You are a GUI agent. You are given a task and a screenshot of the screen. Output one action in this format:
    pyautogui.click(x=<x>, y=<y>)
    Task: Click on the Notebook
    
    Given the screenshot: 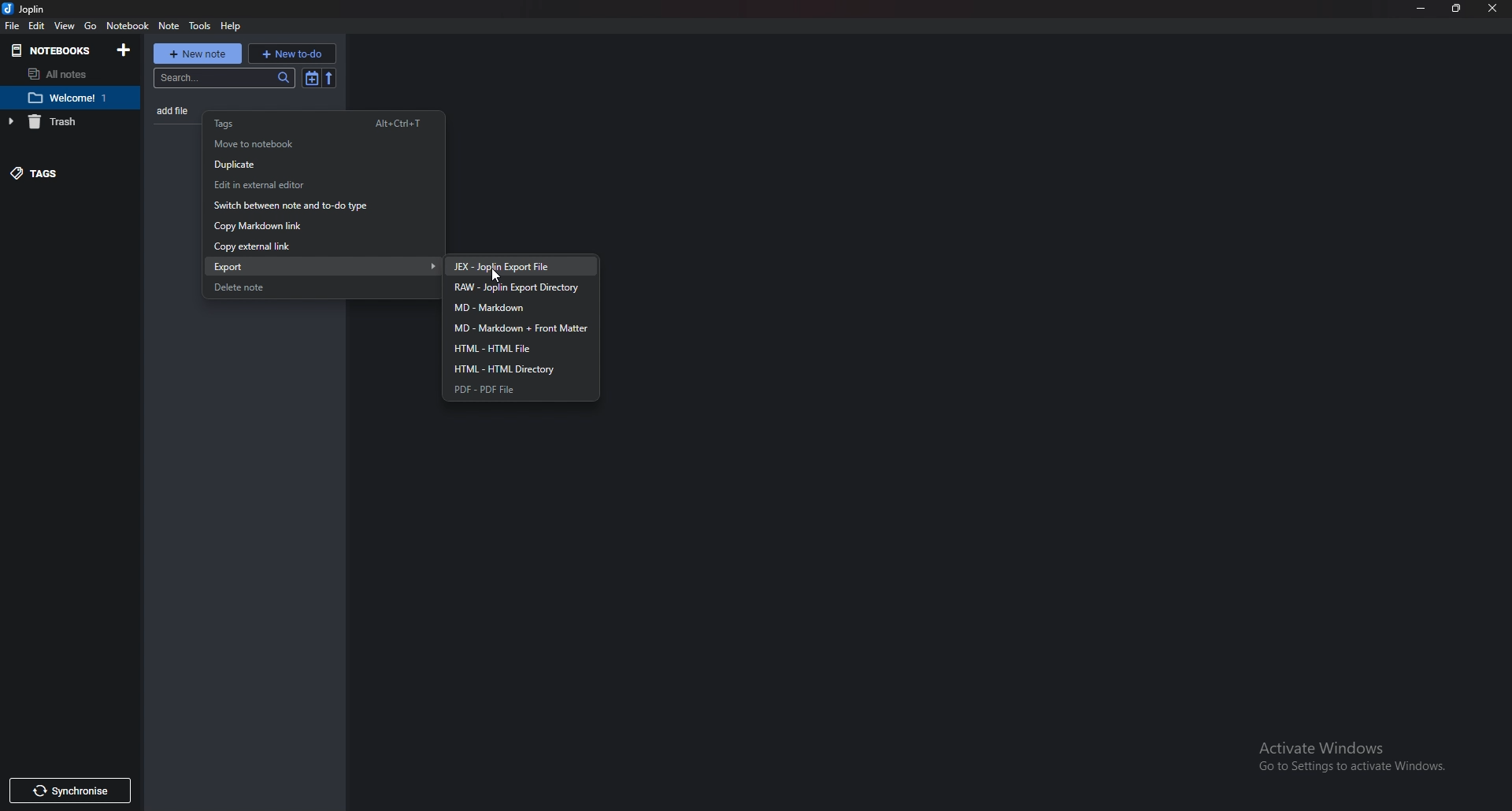 What is the action you would take?
    pyautogui.click(x=76, y=97)
    